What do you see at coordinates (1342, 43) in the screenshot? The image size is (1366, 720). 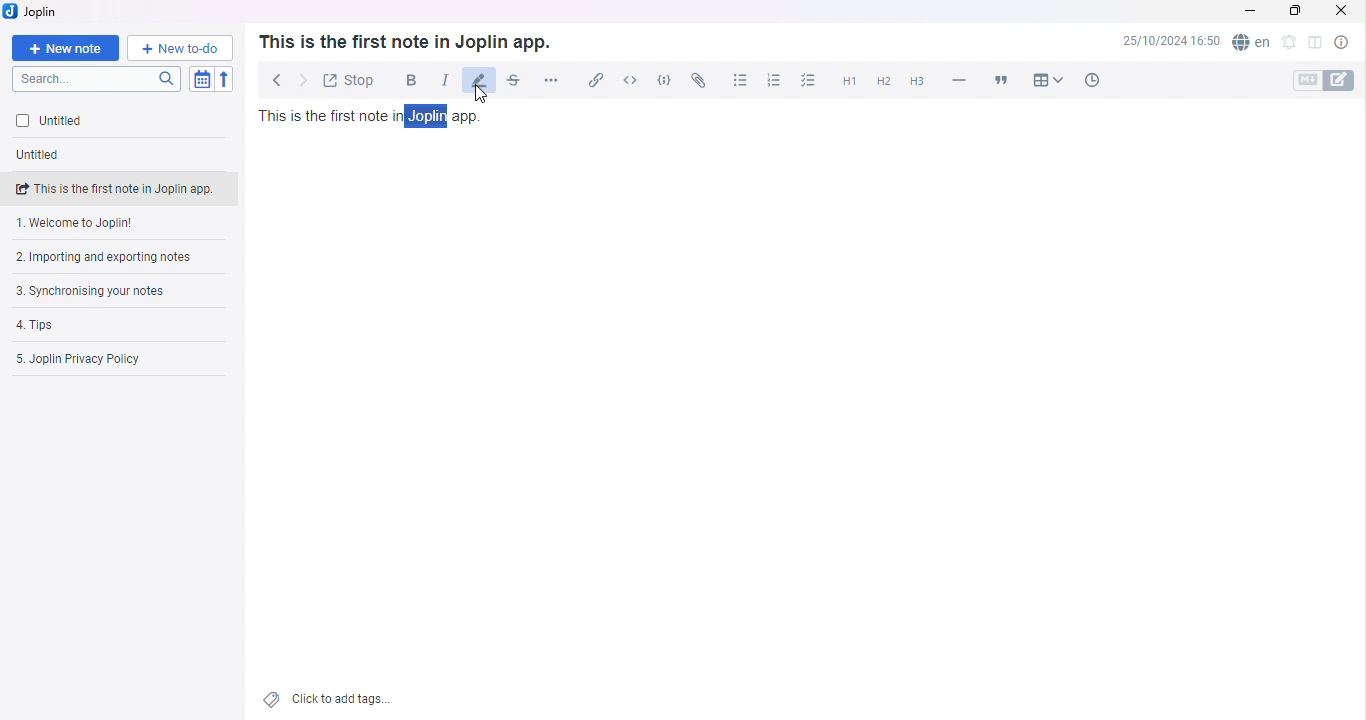 I see `Note properties` at bounding box center [1342, 43].